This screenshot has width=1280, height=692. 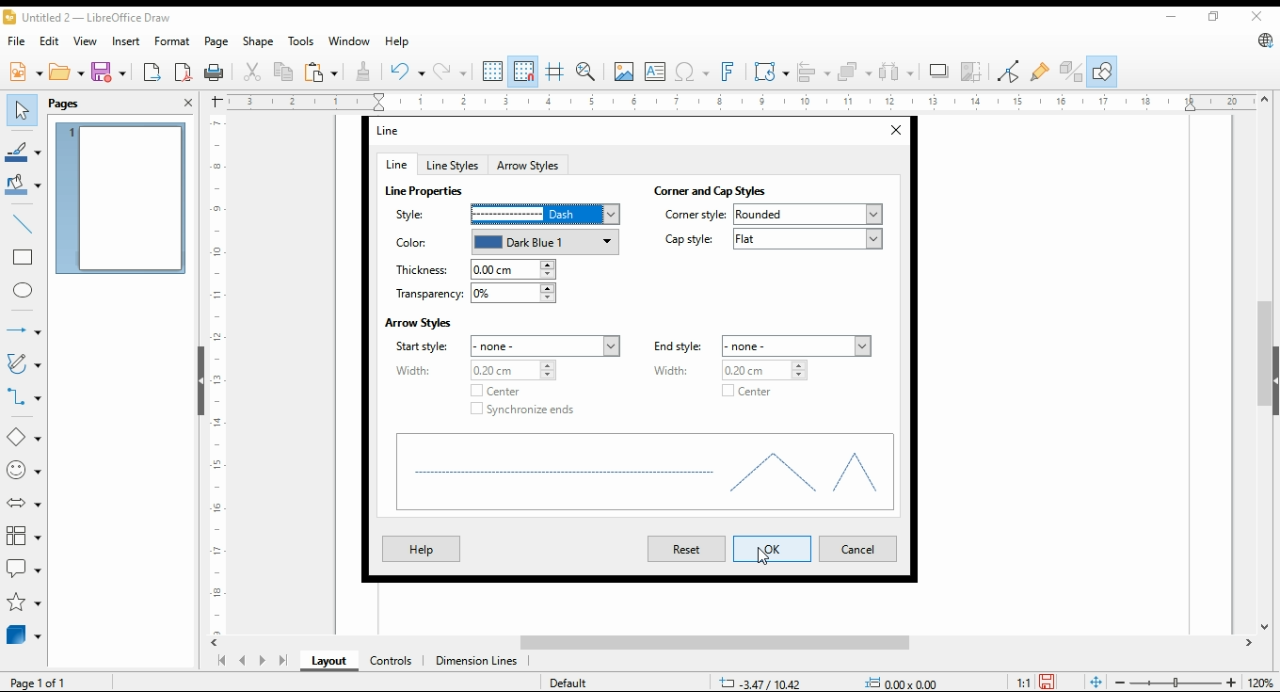 What do you see at coordinates (397, 41) in the screenshot?
I see `help` at bounding box center [397, 41].